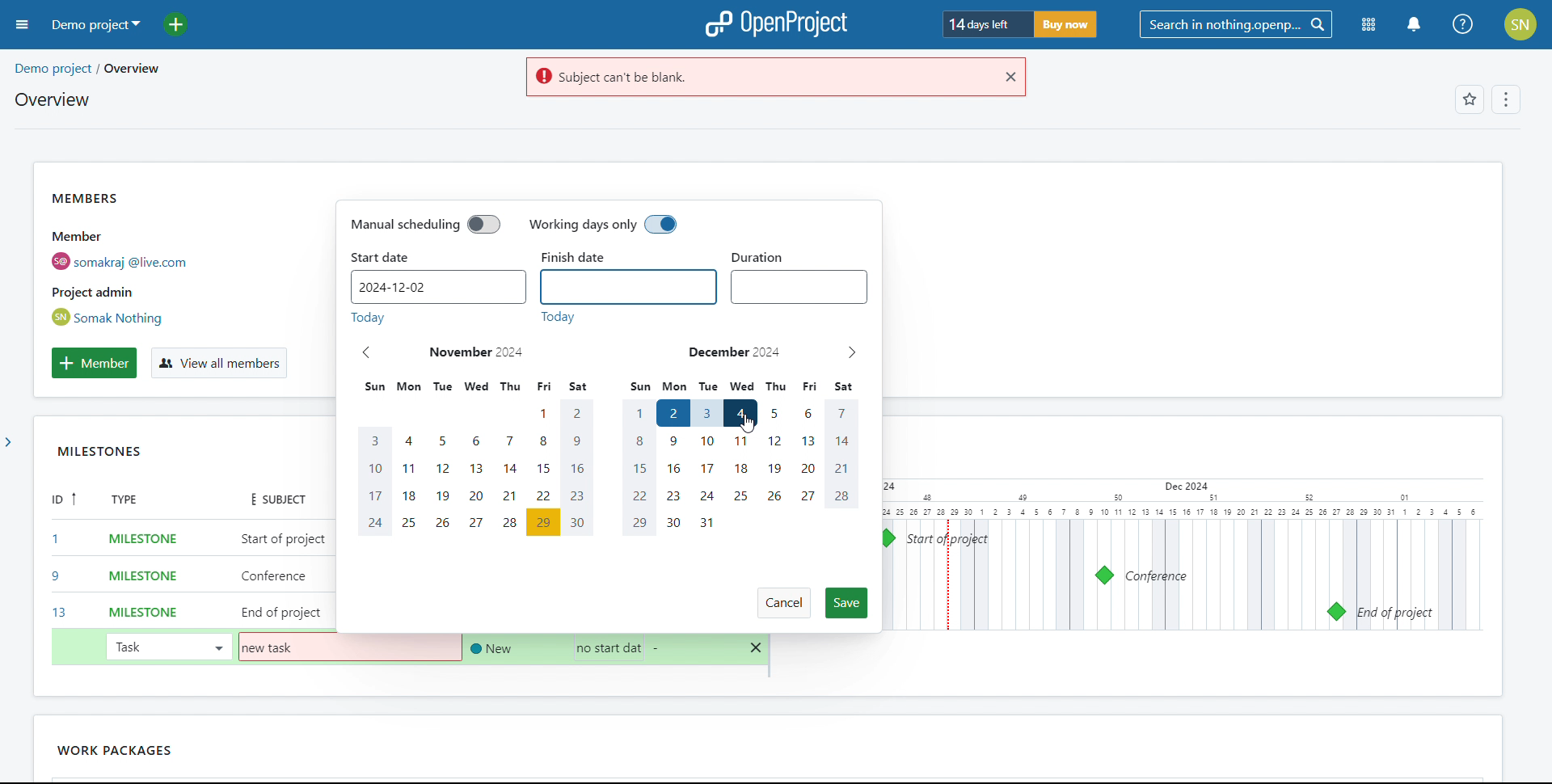 The image size is (1552, 784). Describe the element at coordinates (272, 498) in the screenshot. I see `subject` at that location.